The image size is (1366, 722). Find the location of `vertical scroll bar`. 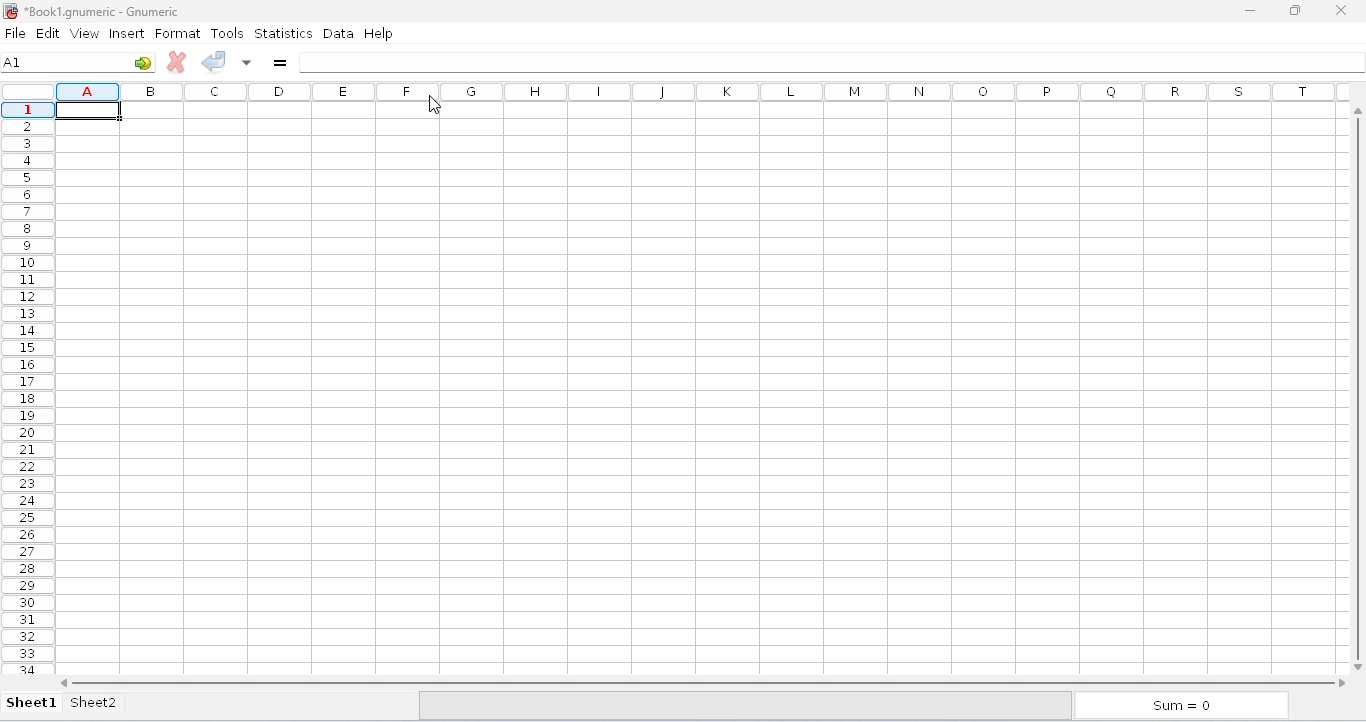

vertical scroll bar is located at coordinates (1361, 388).